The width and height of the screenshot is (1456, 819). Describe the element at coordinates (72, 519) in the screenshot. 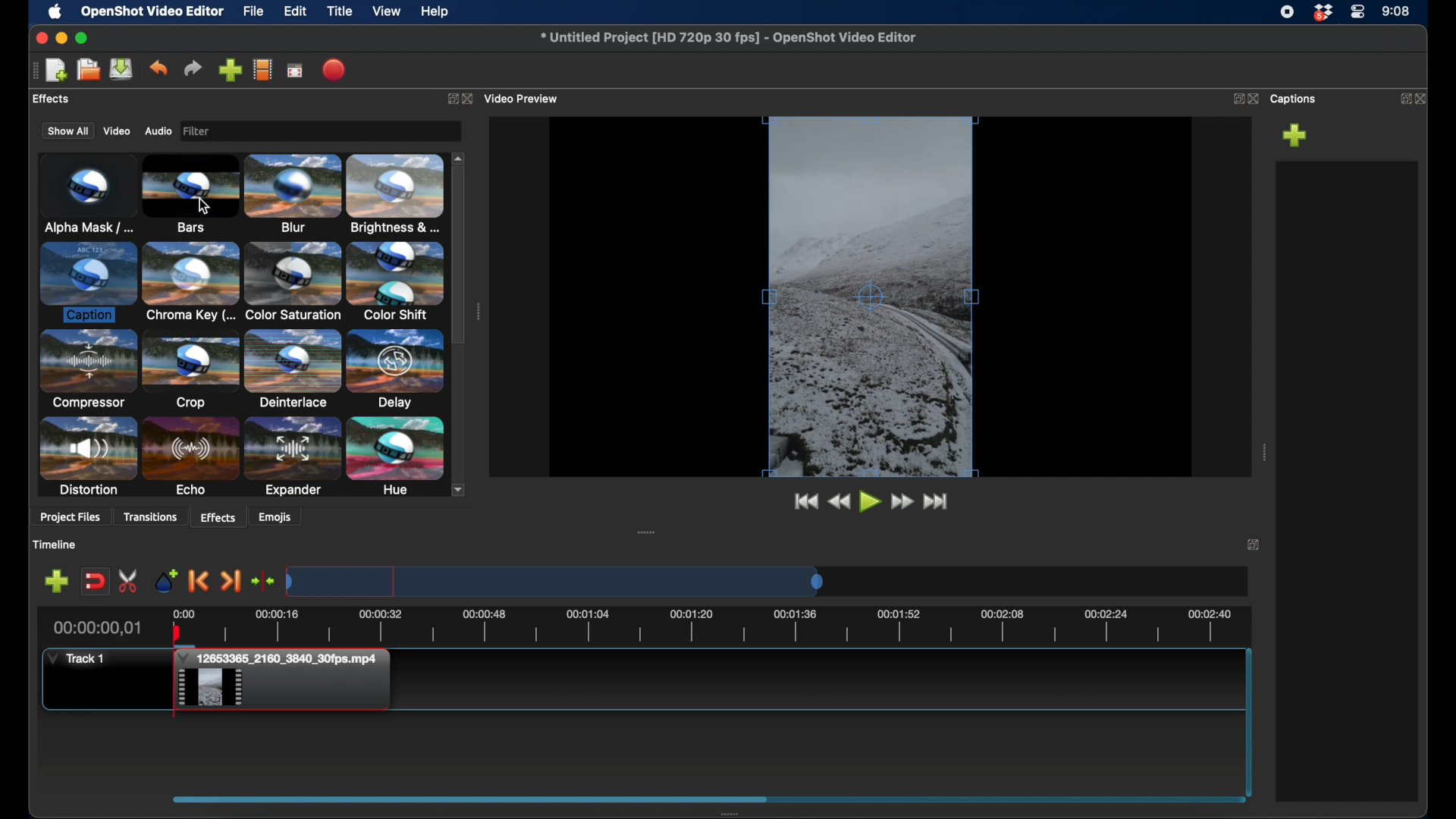

I see `project files` at that location.